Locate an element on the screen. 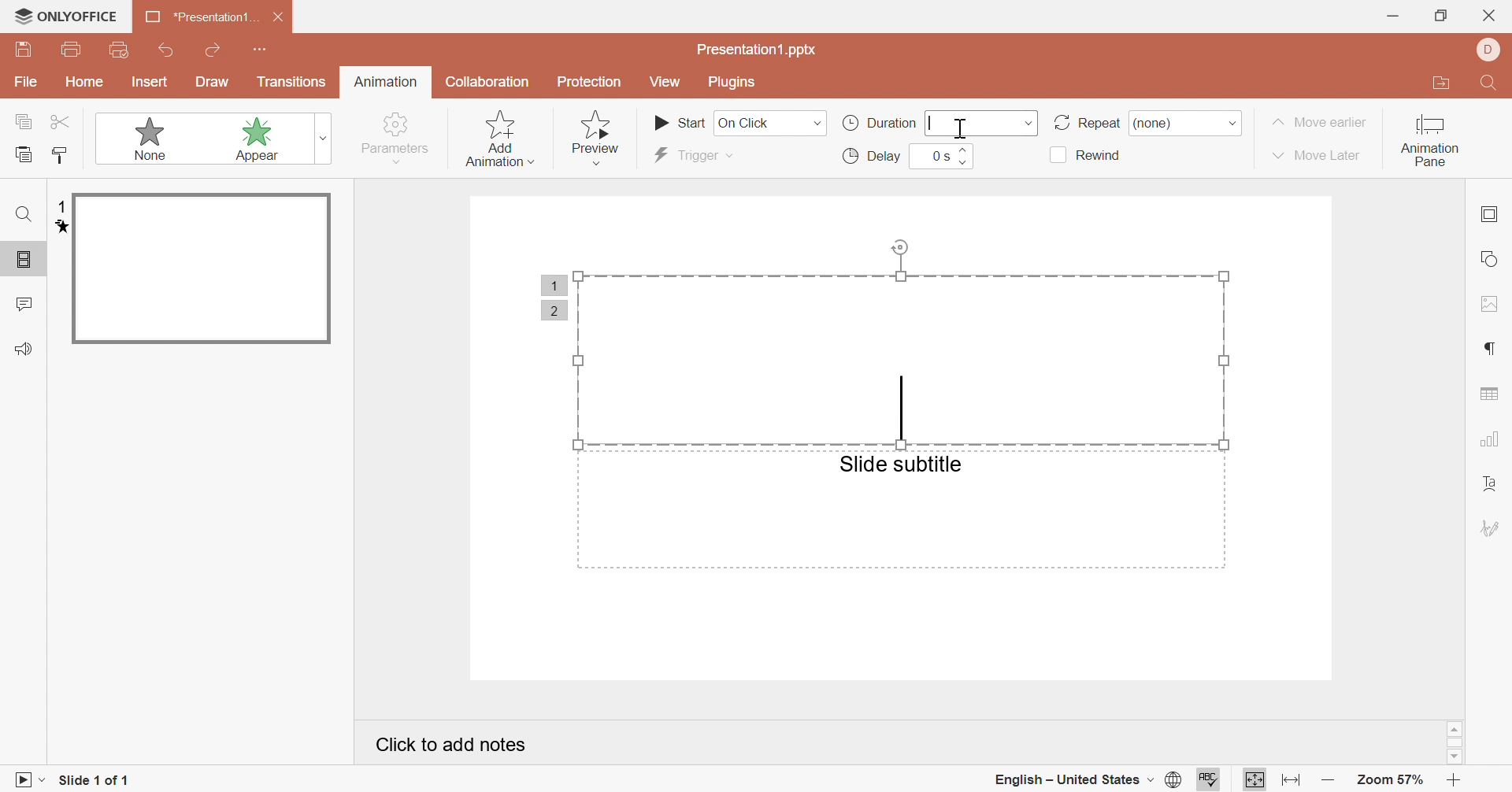 This screenshot has height=792, width=1512. comments is located at coordinates (23, 302).